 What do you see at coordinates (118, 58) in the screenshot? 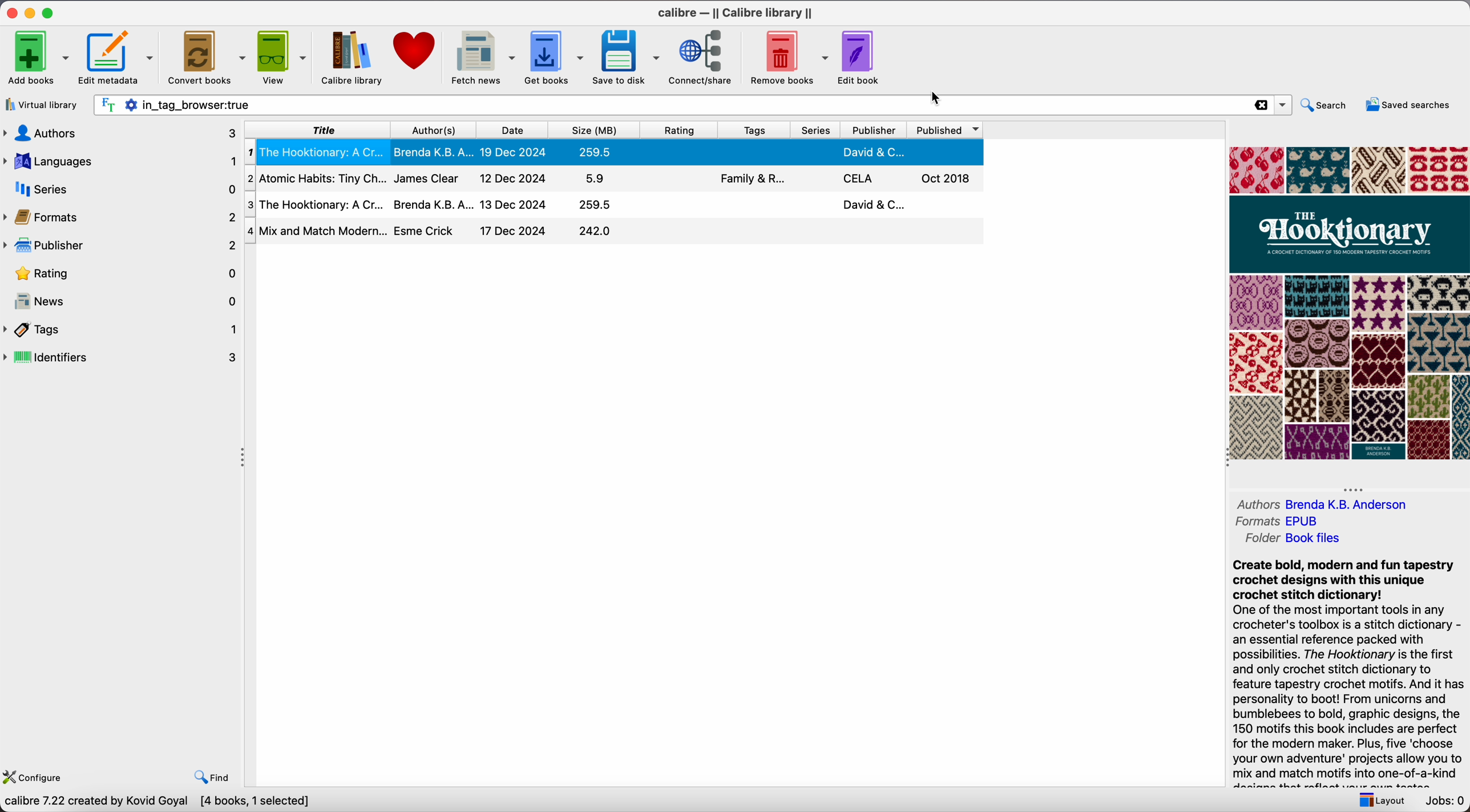
I see `edit metadata` at bounding box center [118, 58].